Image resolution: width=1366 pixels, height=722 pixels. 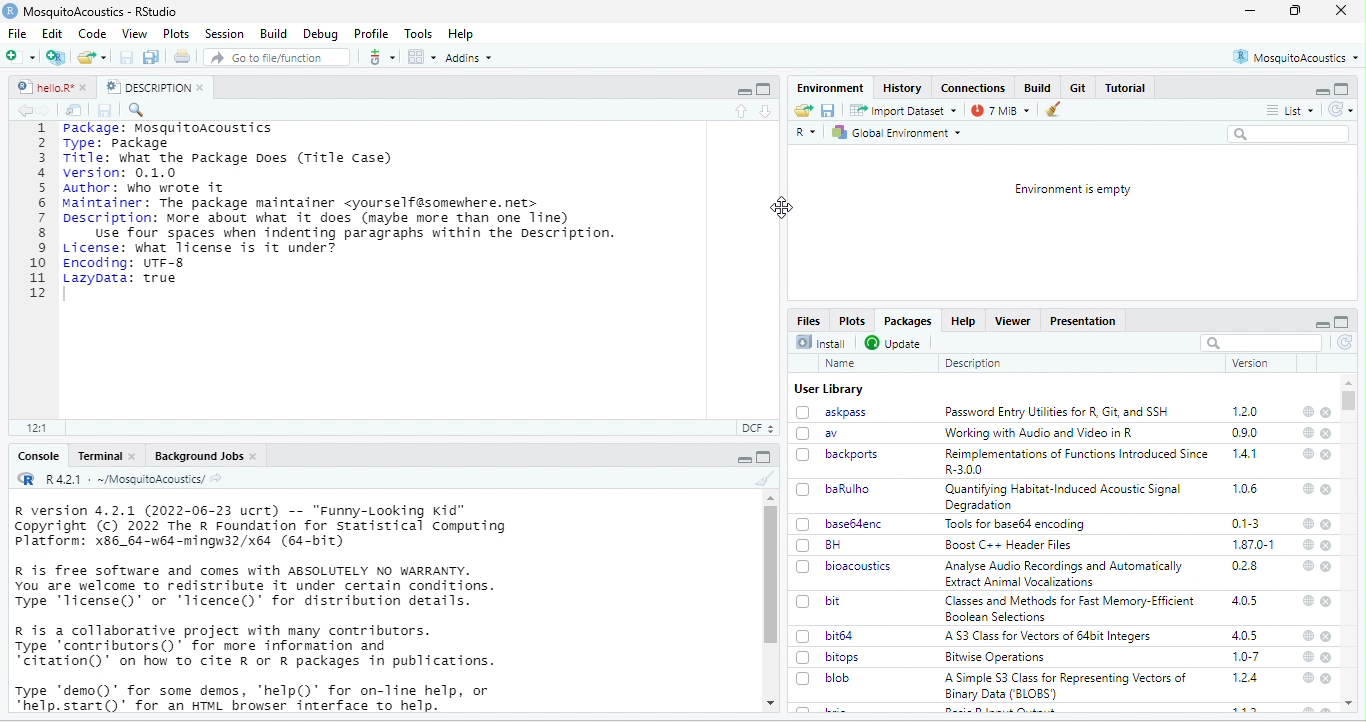 What do you see at coordinates (120, 480) in the screenshot?
I see `R 4.2.1 : ~/MosquitoAcoustics/` at bounding box center [120, 480].